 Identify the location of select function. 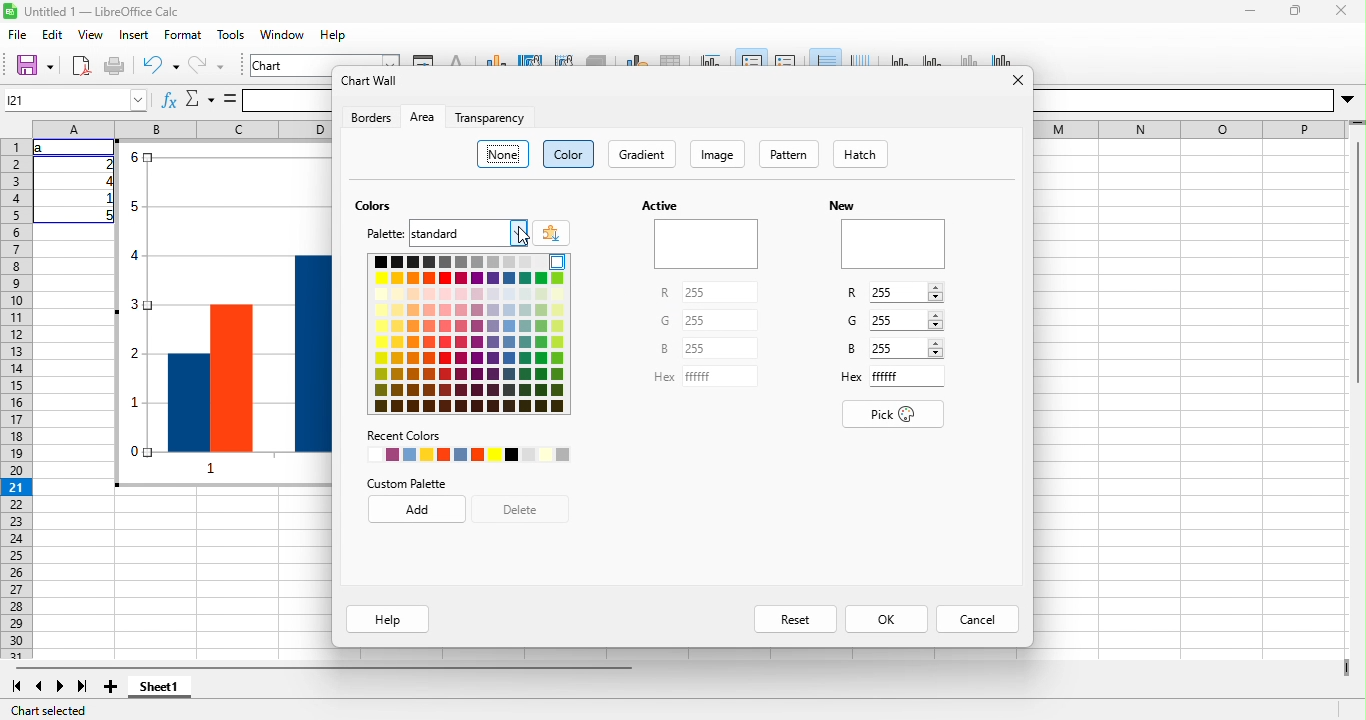
(199, 99).